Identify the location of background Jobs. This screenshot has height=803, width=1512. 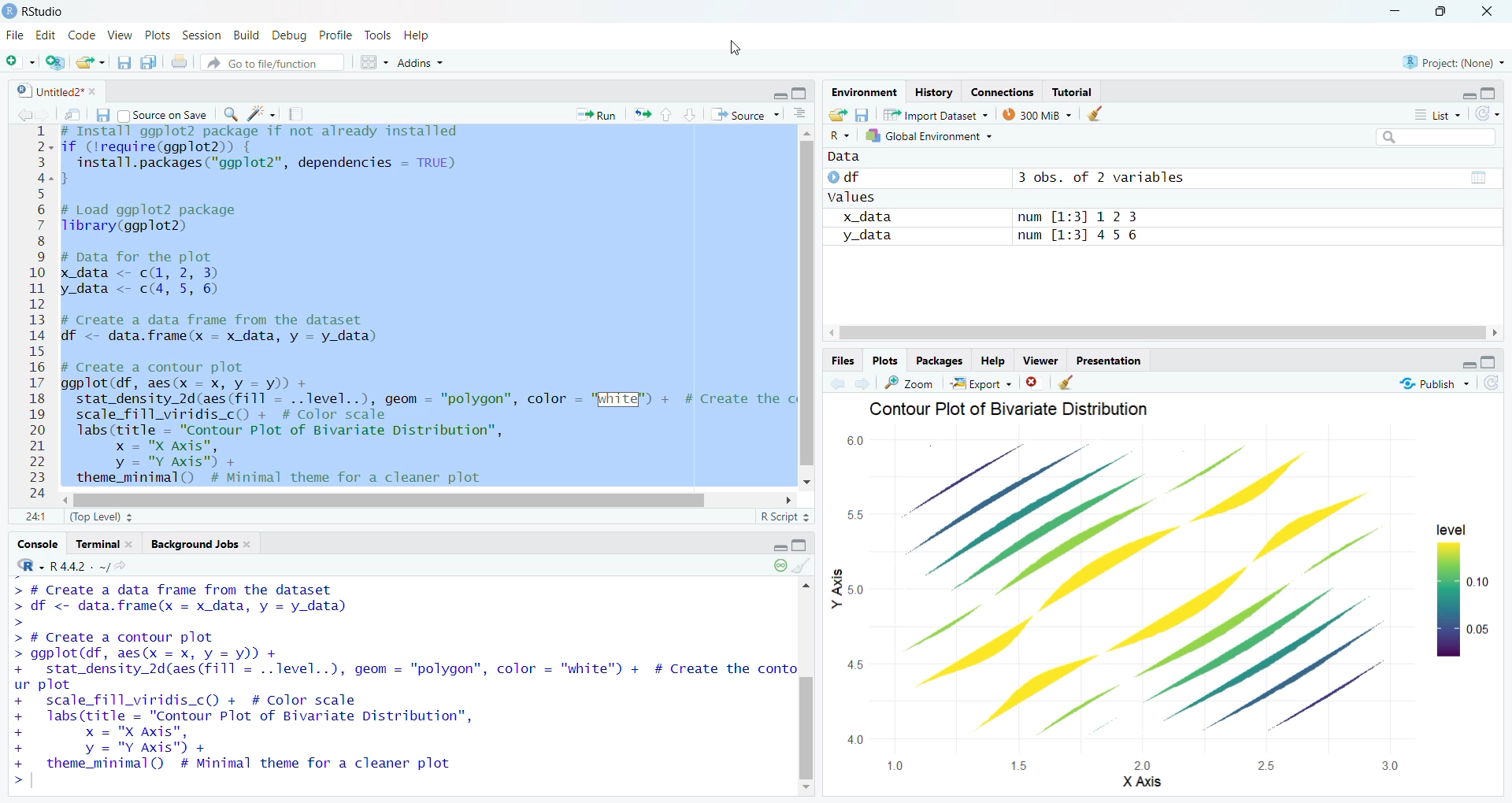
(199, 546).